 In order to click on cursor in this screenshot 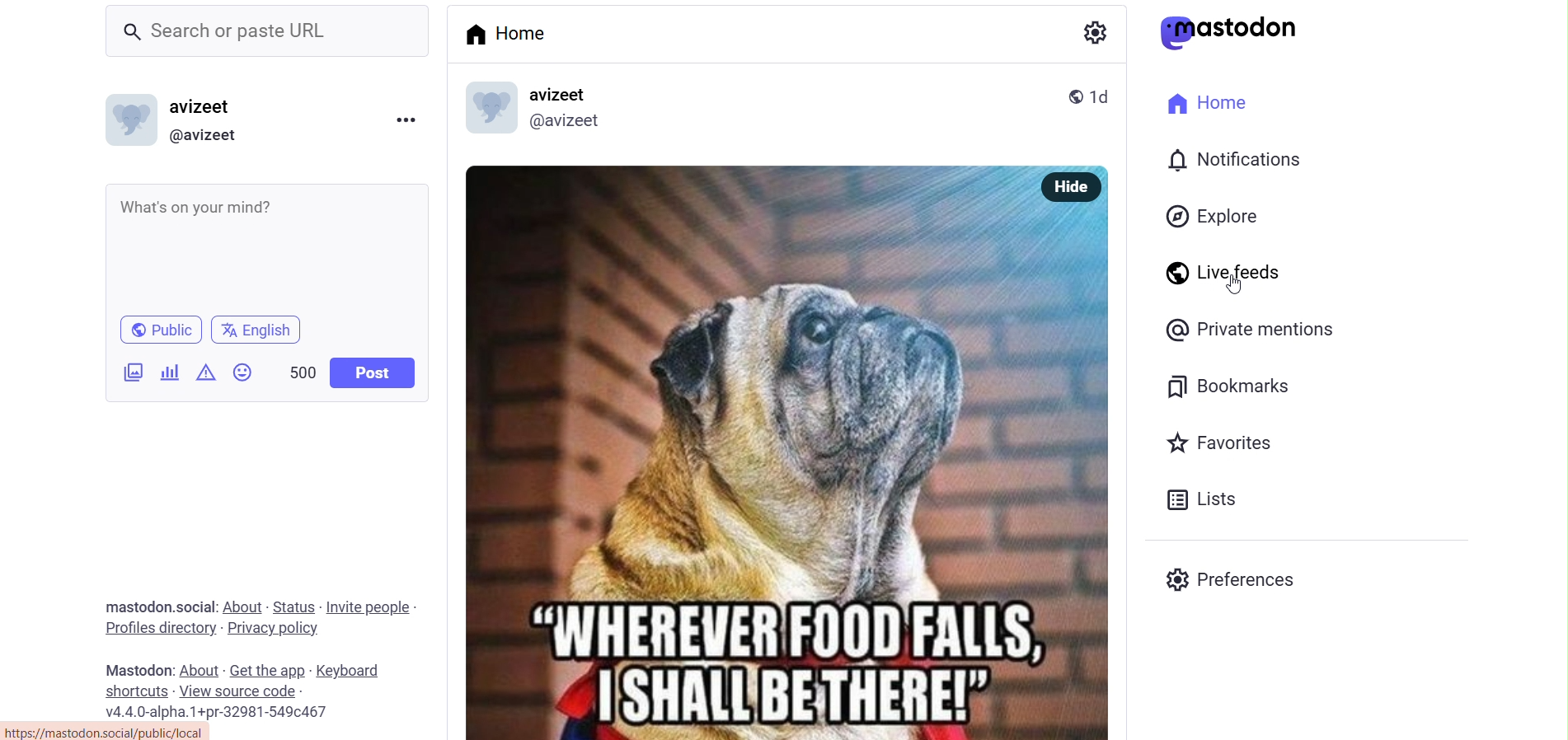, I will do `click(1242, 290)`.